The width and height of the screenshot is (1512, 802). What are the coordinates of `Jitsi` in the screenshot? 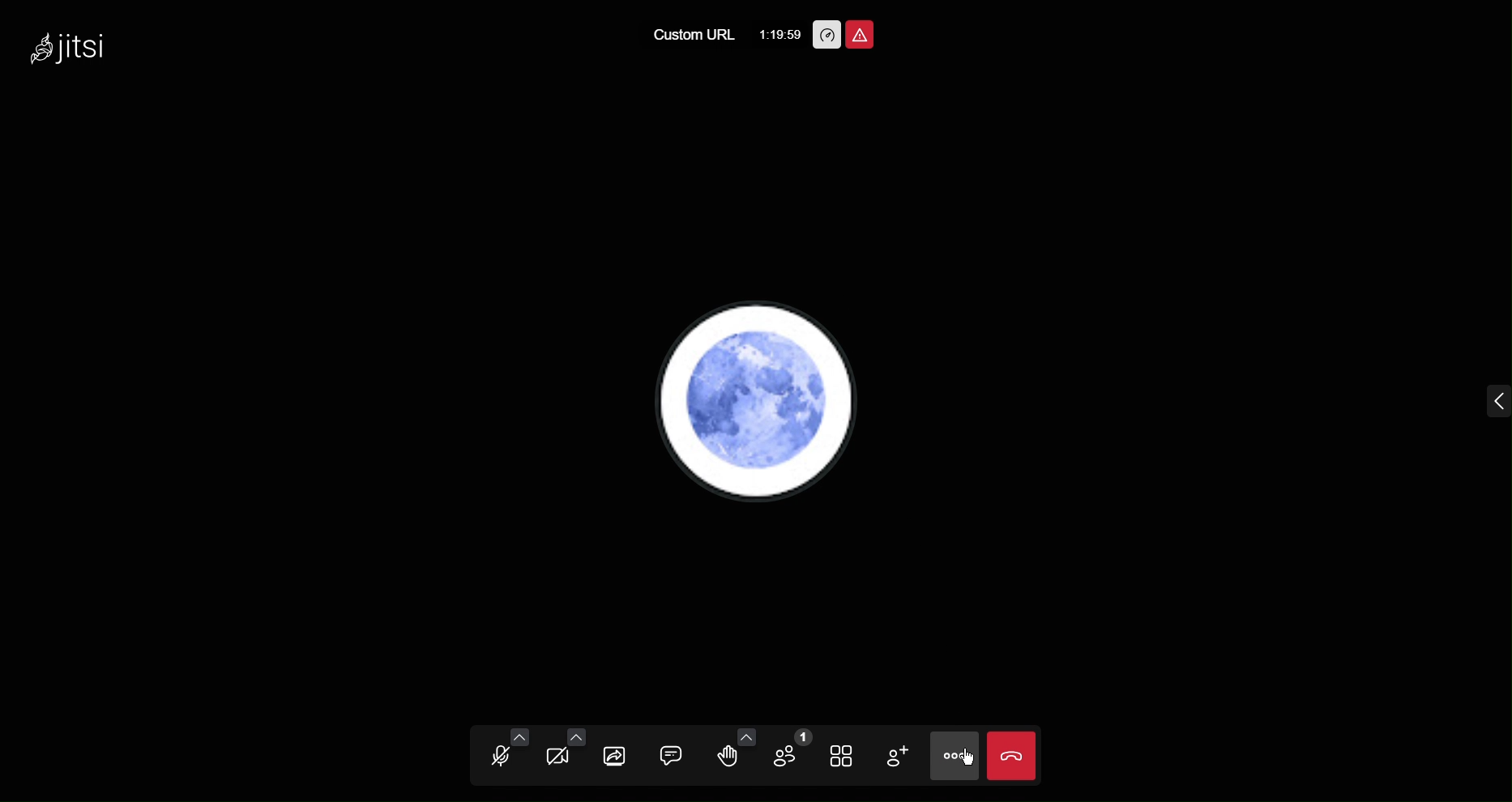 It's located at (70, 48).